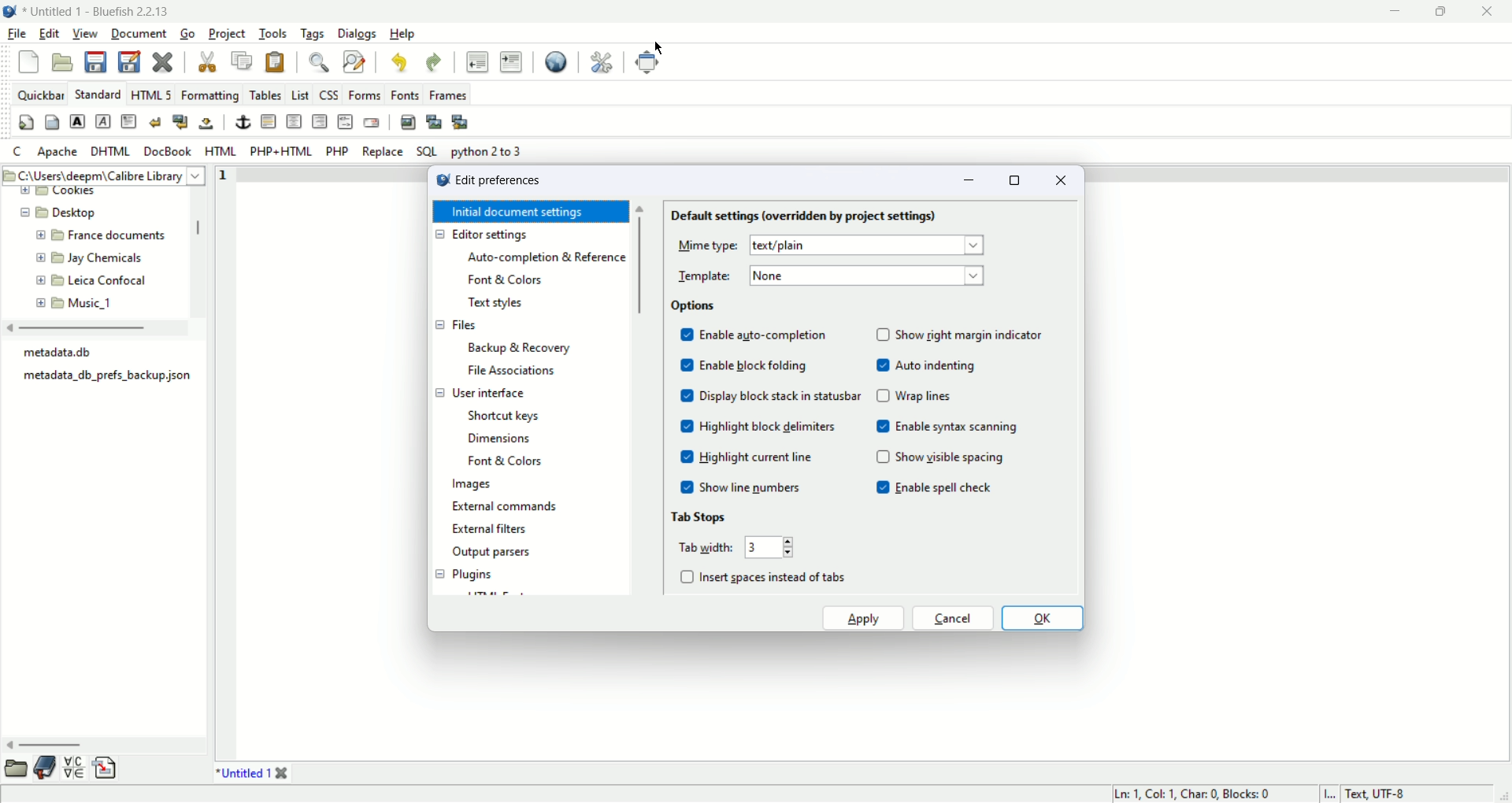 Image resolution: width=1512 pixels, height=803 pixels. I want to click on close, so click(282, 774).